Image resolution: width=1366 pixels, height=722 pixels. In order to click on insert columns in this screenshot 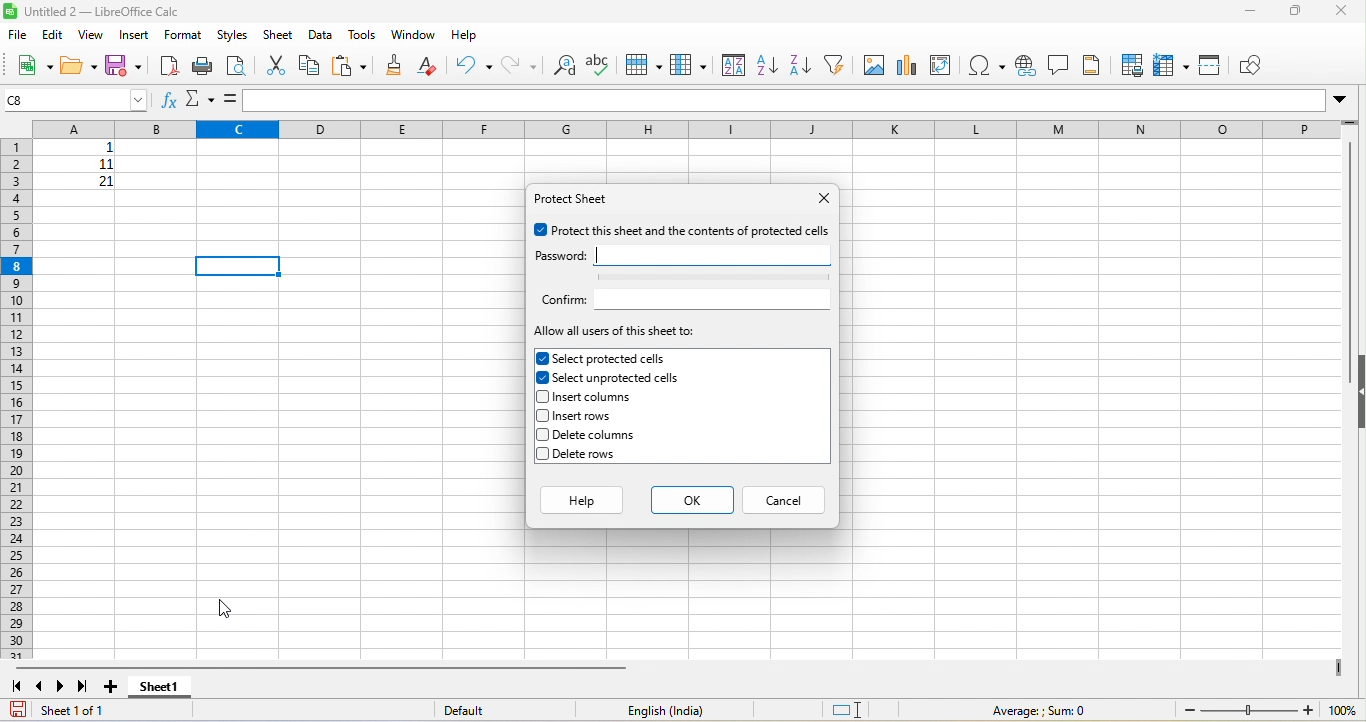, I will do `click(608, 395)`.